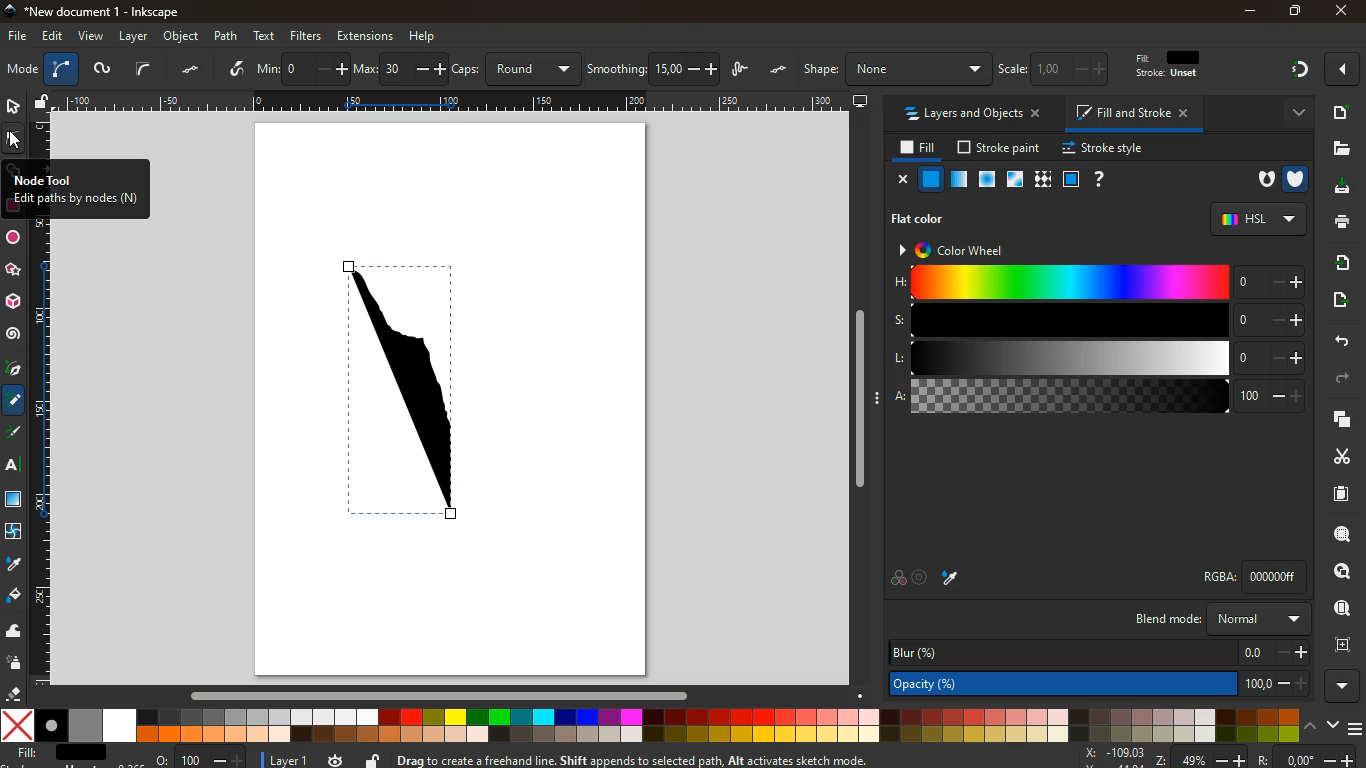 The height and width of the screenshot is (768, 1366). Describe the element at coordinates (1290, 10) in the screenshot. I see `maximize` at that location.